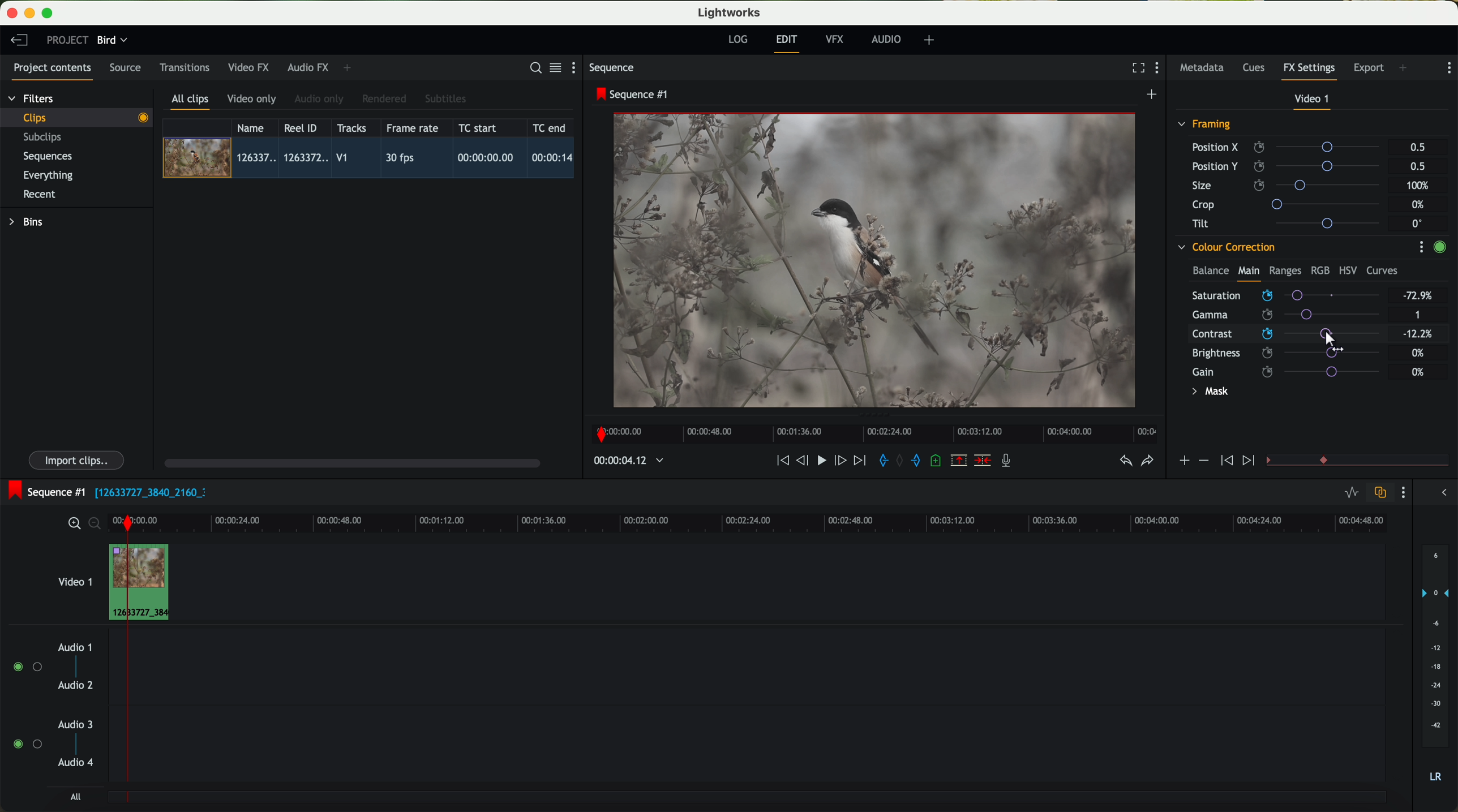 The height and width of the screenshot is (812, 1458). What do you see at coordinates (45, 138) in the screenshot?
I see `subclips` at bounding box center [45, 138].